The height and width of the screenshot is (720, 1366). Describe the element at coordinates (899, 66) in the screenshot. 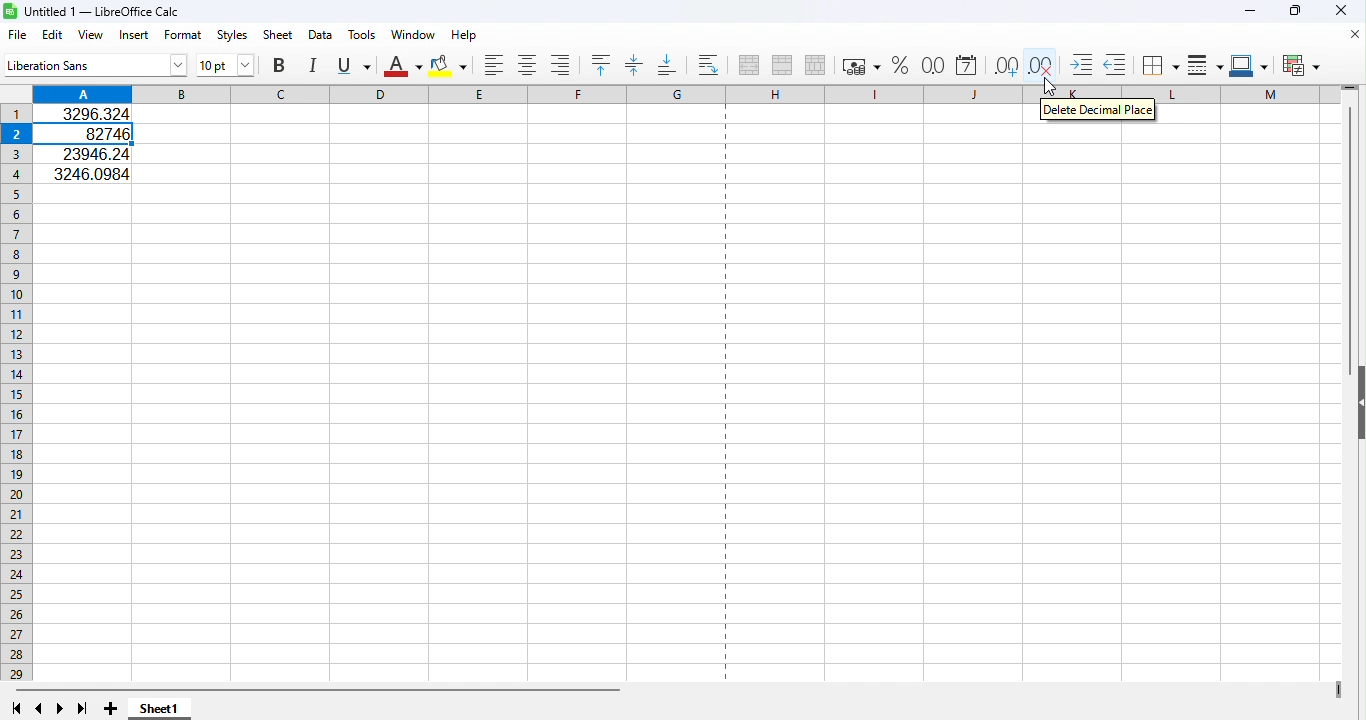

I see `Format as percent` at that location.